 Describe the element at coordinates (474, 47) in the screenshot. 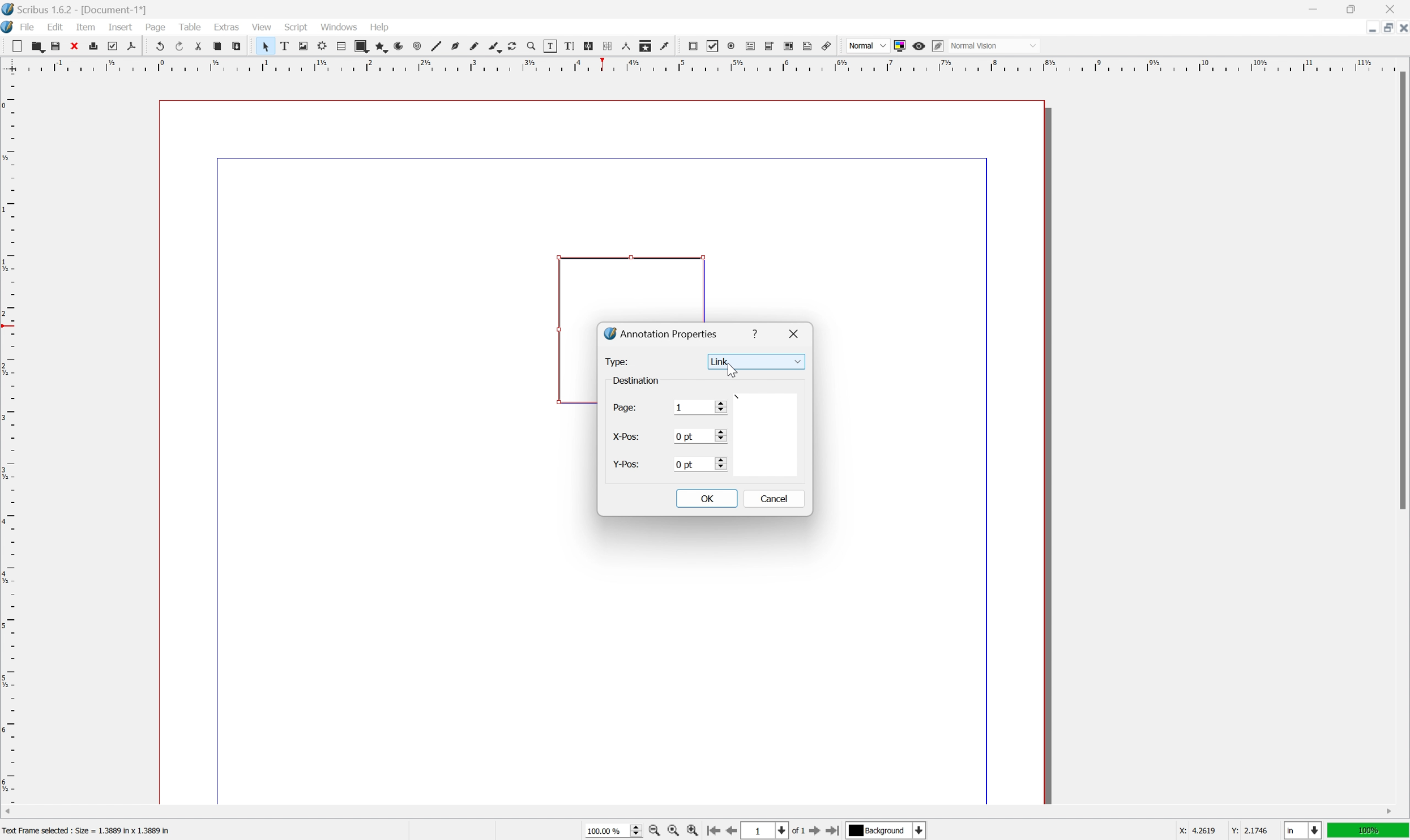

I see `freehand line` at that location.